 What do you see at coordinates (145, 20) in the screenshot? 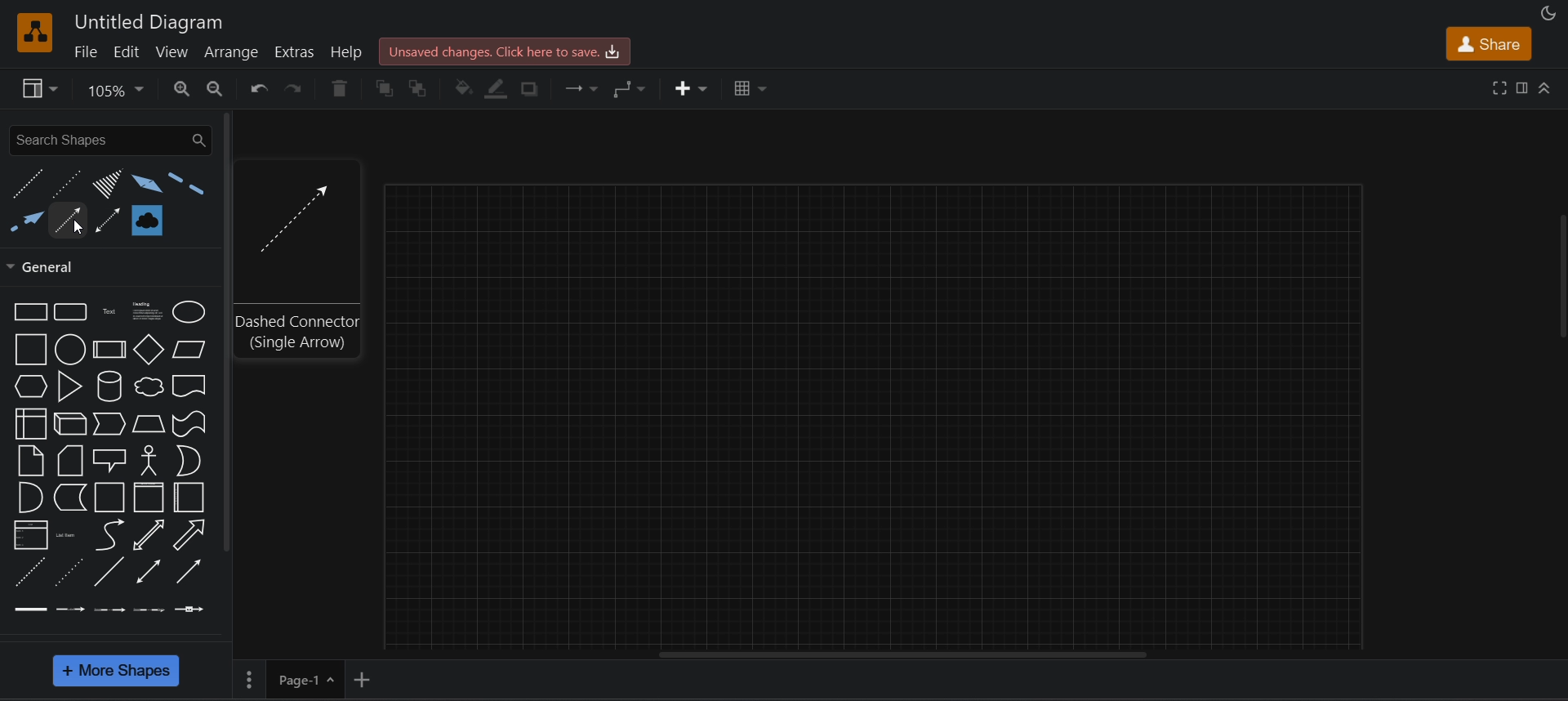
I see `Untitled diagram - title` at bounding box center [145, 20].